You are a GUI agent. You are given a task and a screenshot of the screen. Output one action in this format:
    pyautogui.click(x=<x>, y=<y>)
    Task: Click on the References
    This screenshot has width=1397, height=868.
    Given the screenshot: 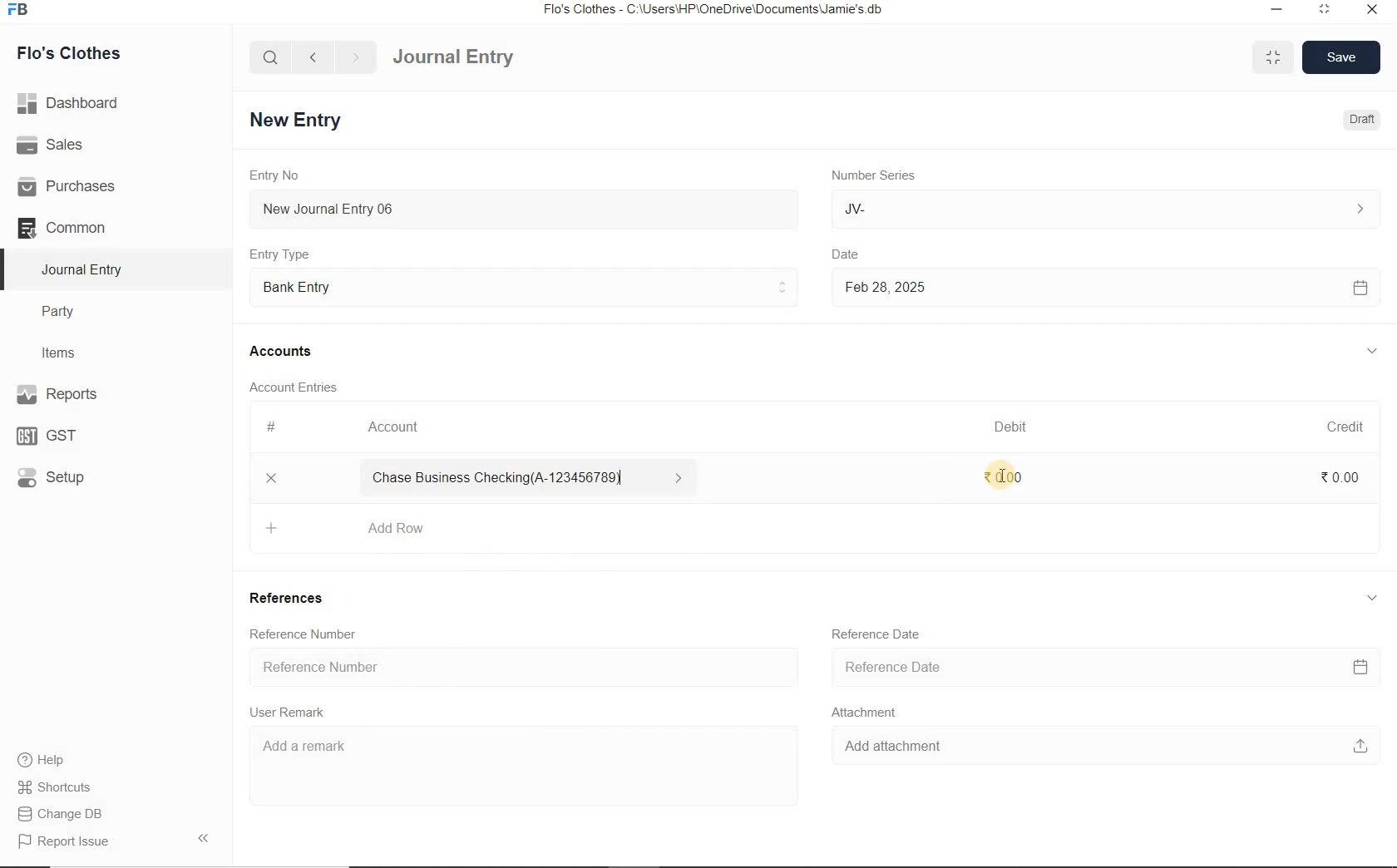 What is the action you would take?
    pyautogui.click(x=292, y=600)
    